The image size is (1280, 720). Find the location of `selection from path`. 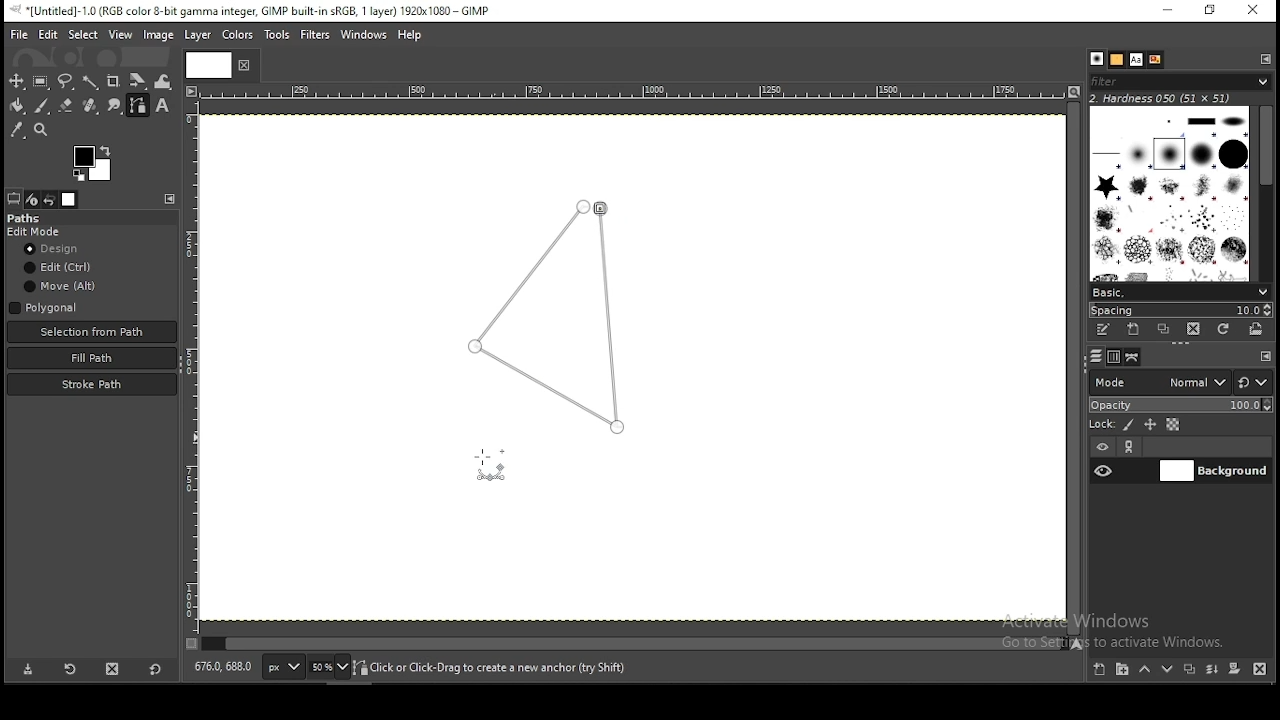

selection from path is located at coordinates (90, 332).